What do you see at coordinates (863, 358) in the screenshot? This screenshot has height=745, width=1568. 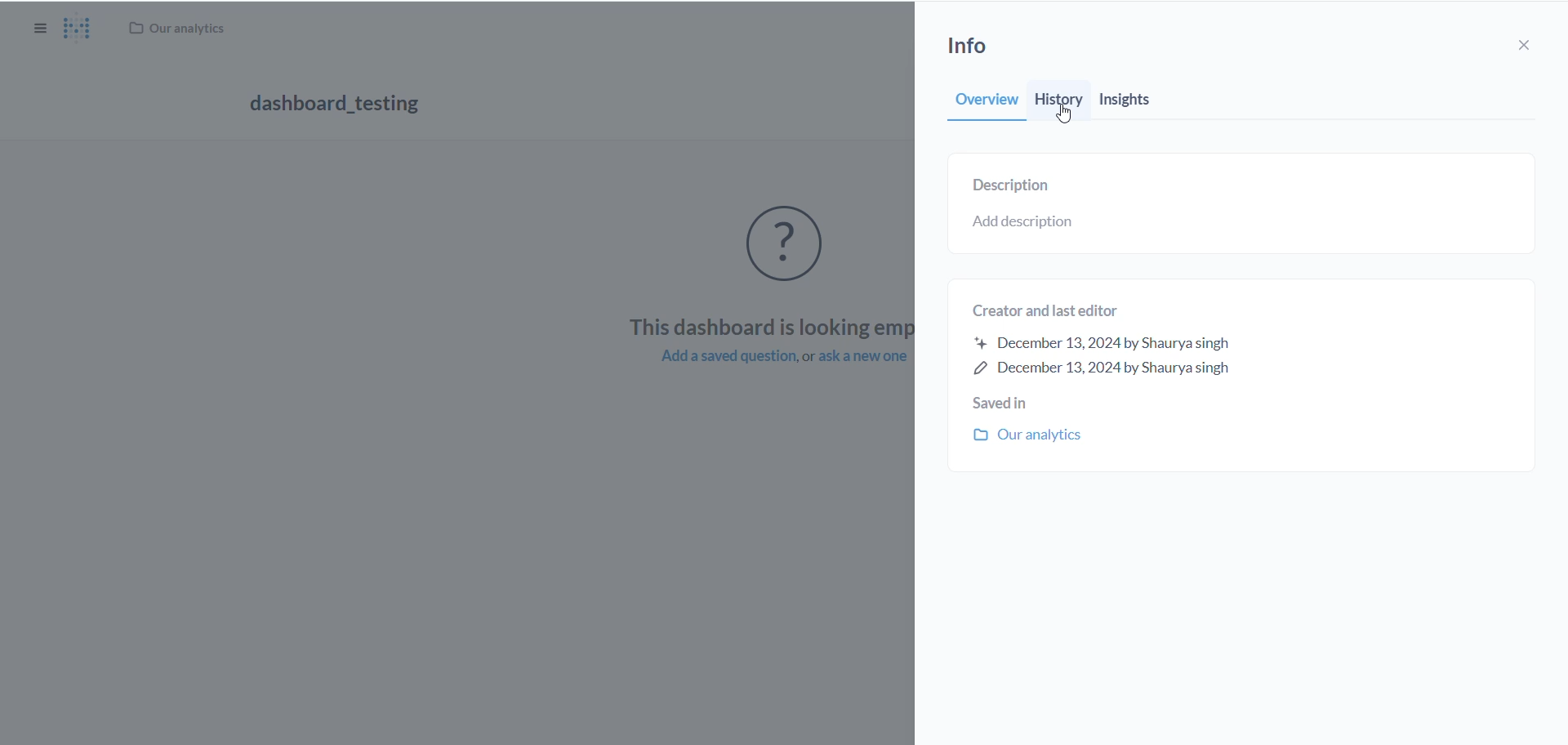 I see `ask a new question` at bounding box center [863, 358].